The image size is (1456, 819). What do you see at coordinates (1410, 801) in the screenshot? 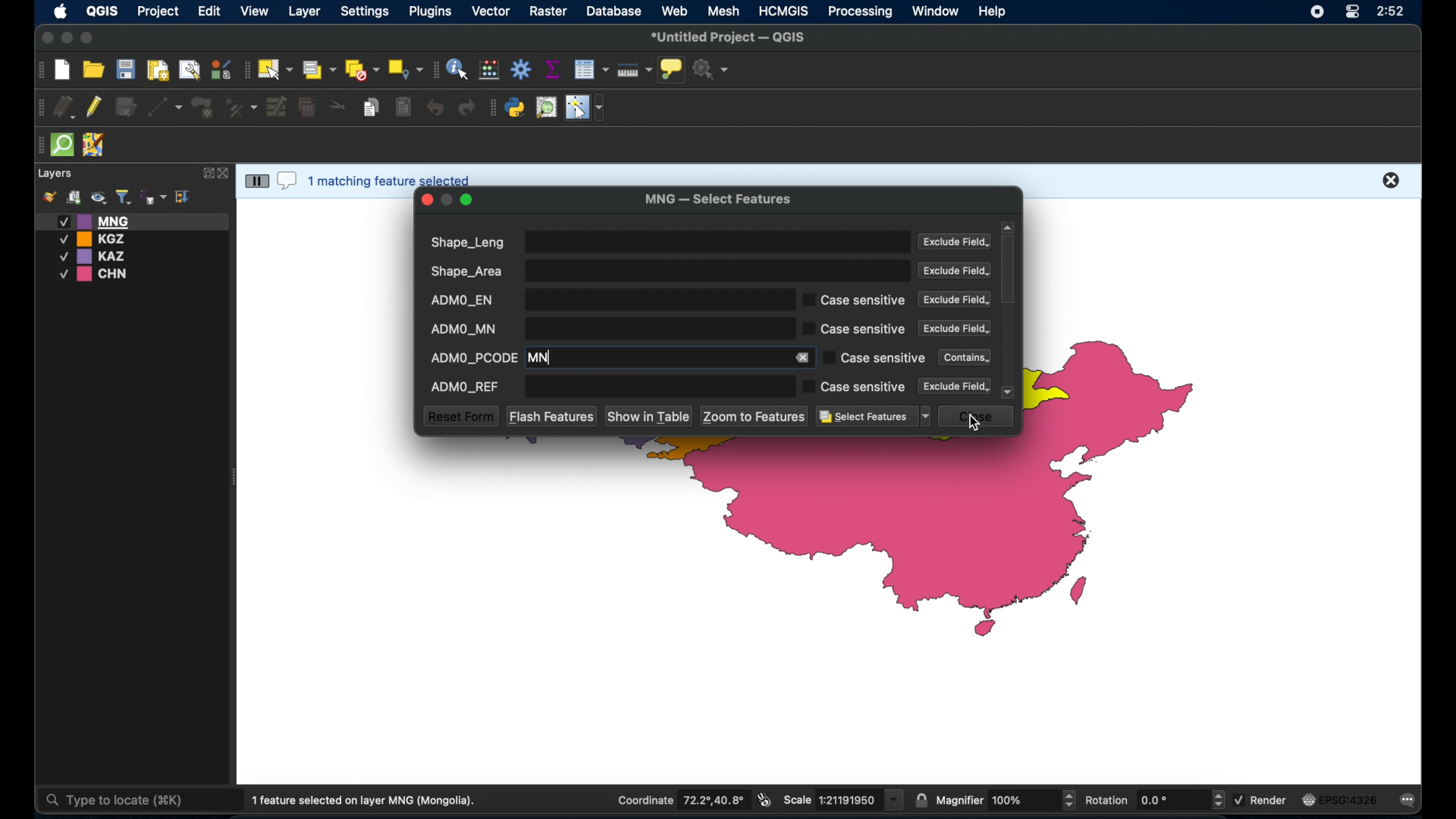
I see `messages` at bounding box center [1410, 801].